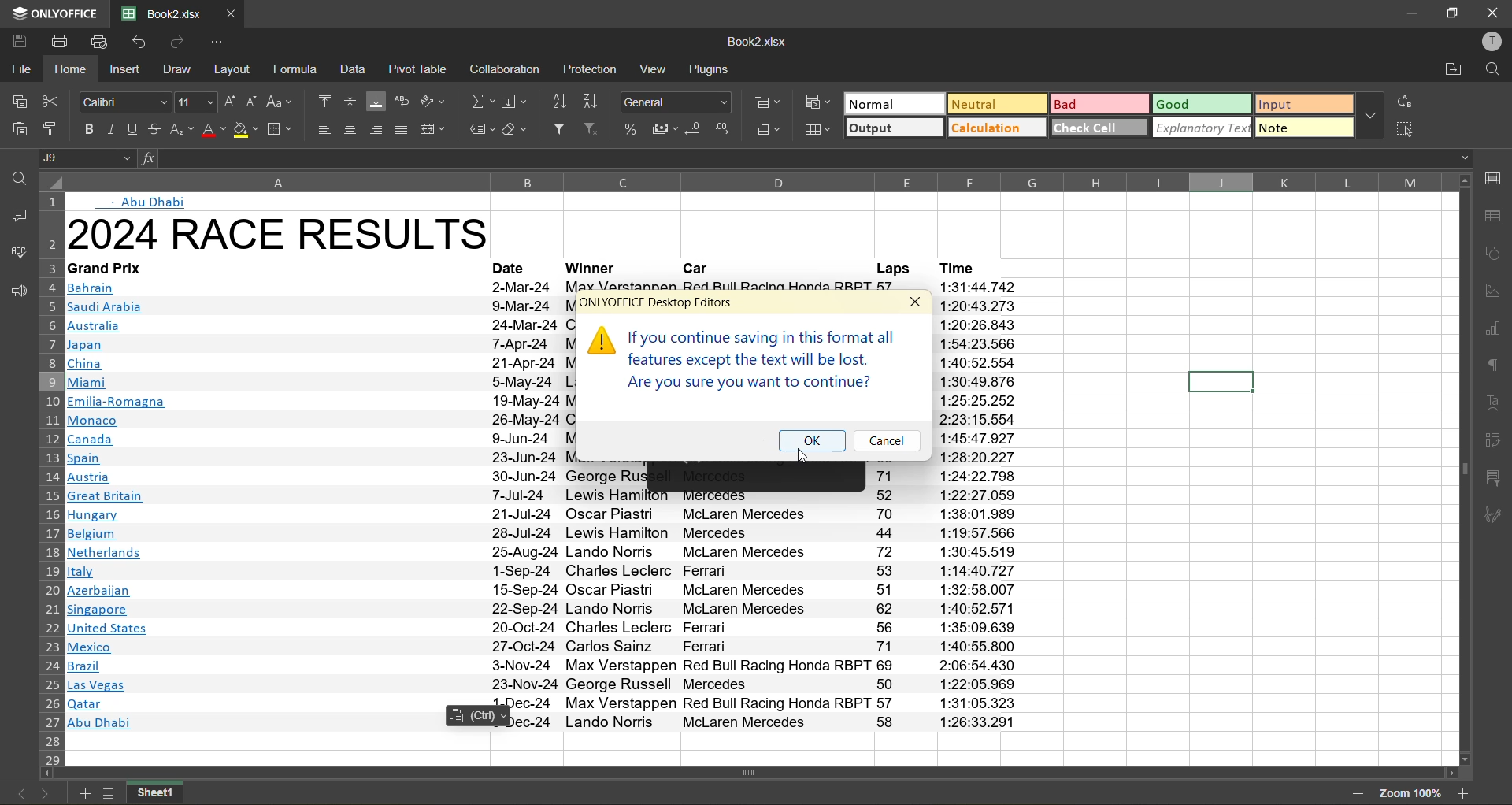 The height and width of the screenshot is (805, 1512). I want to click on bad, so click(1101, 103).